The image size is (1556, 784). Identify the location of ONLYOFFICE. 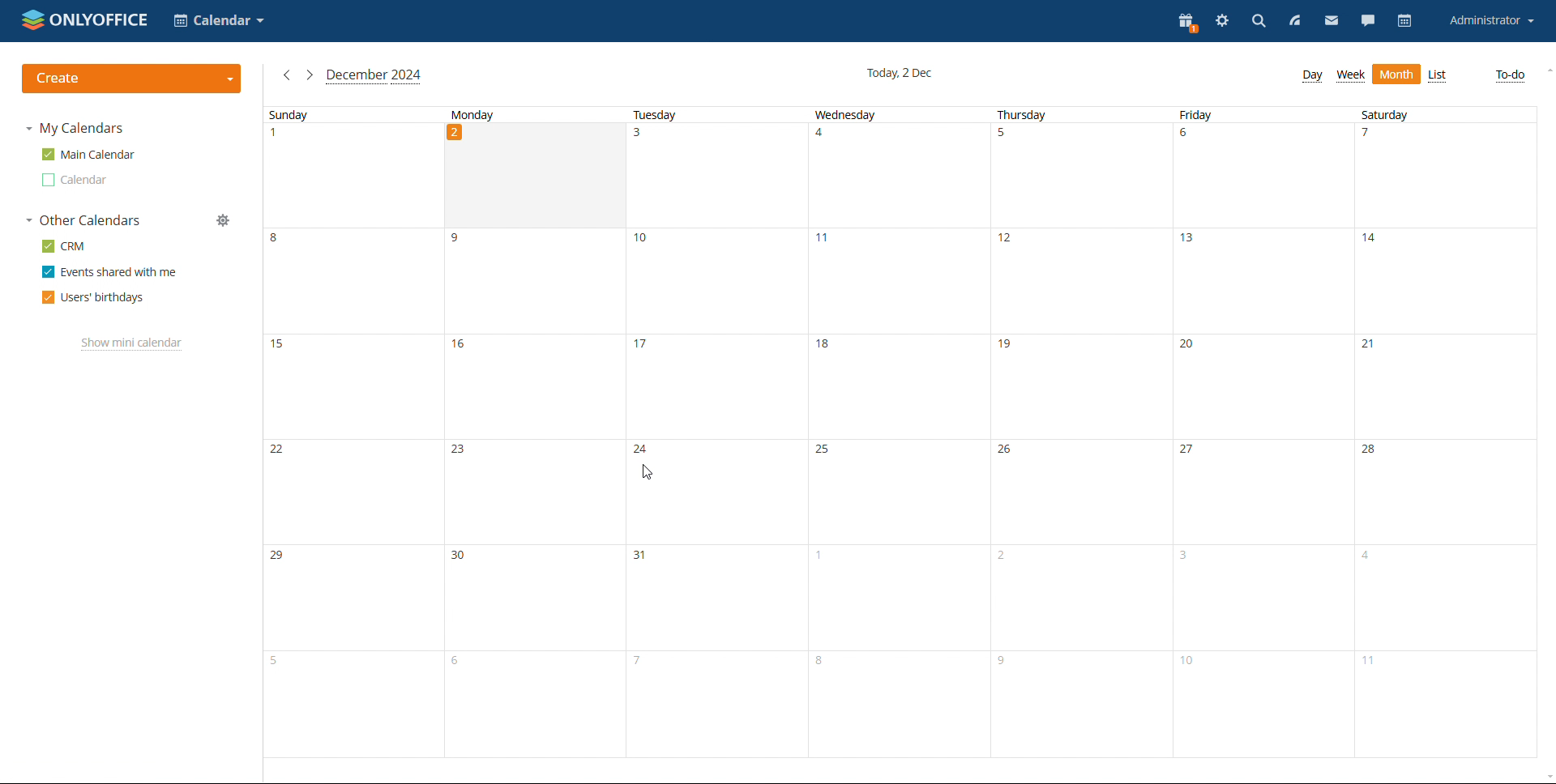
(85, 19).